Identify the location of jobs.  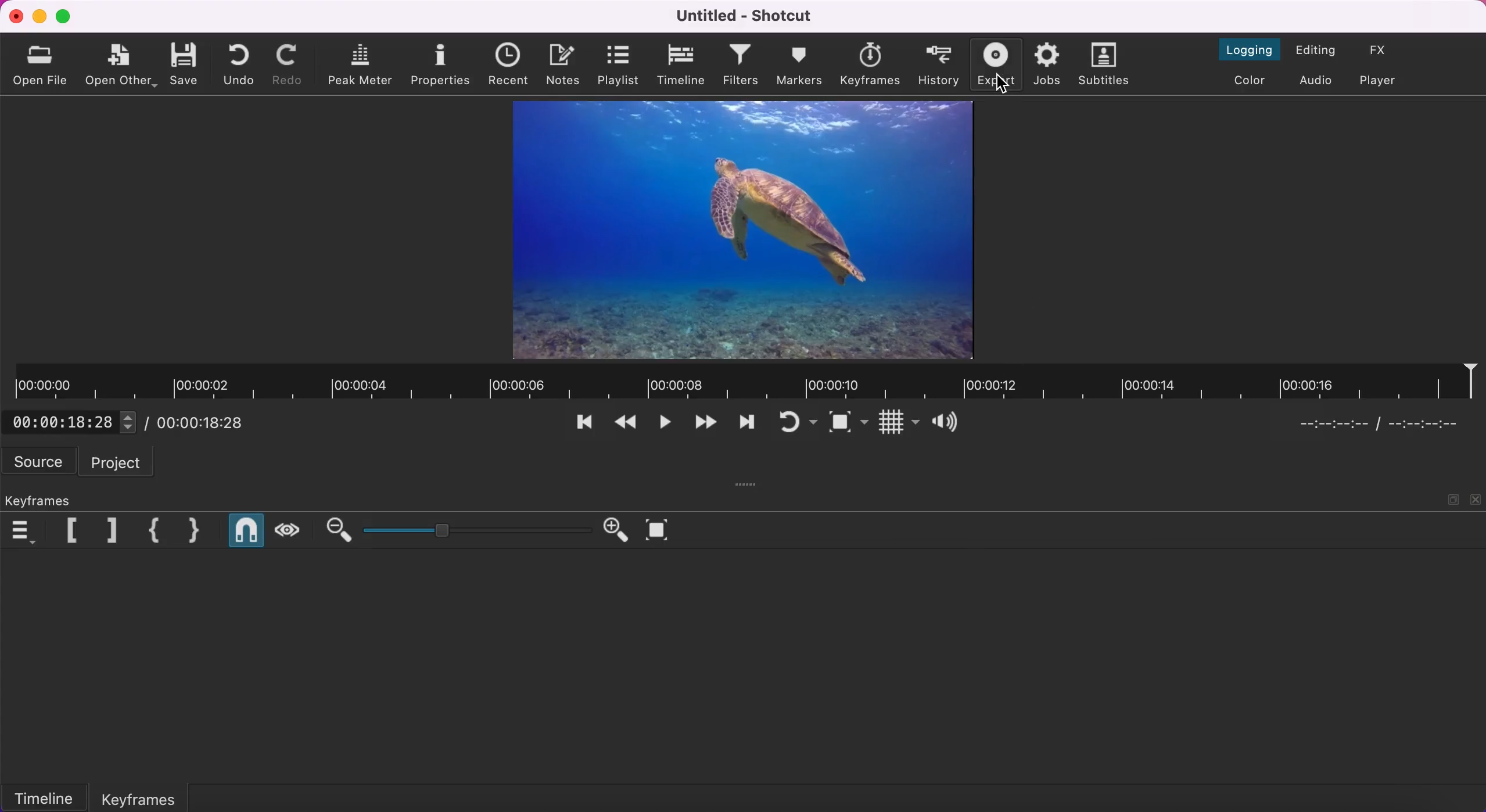
(1050, 64).